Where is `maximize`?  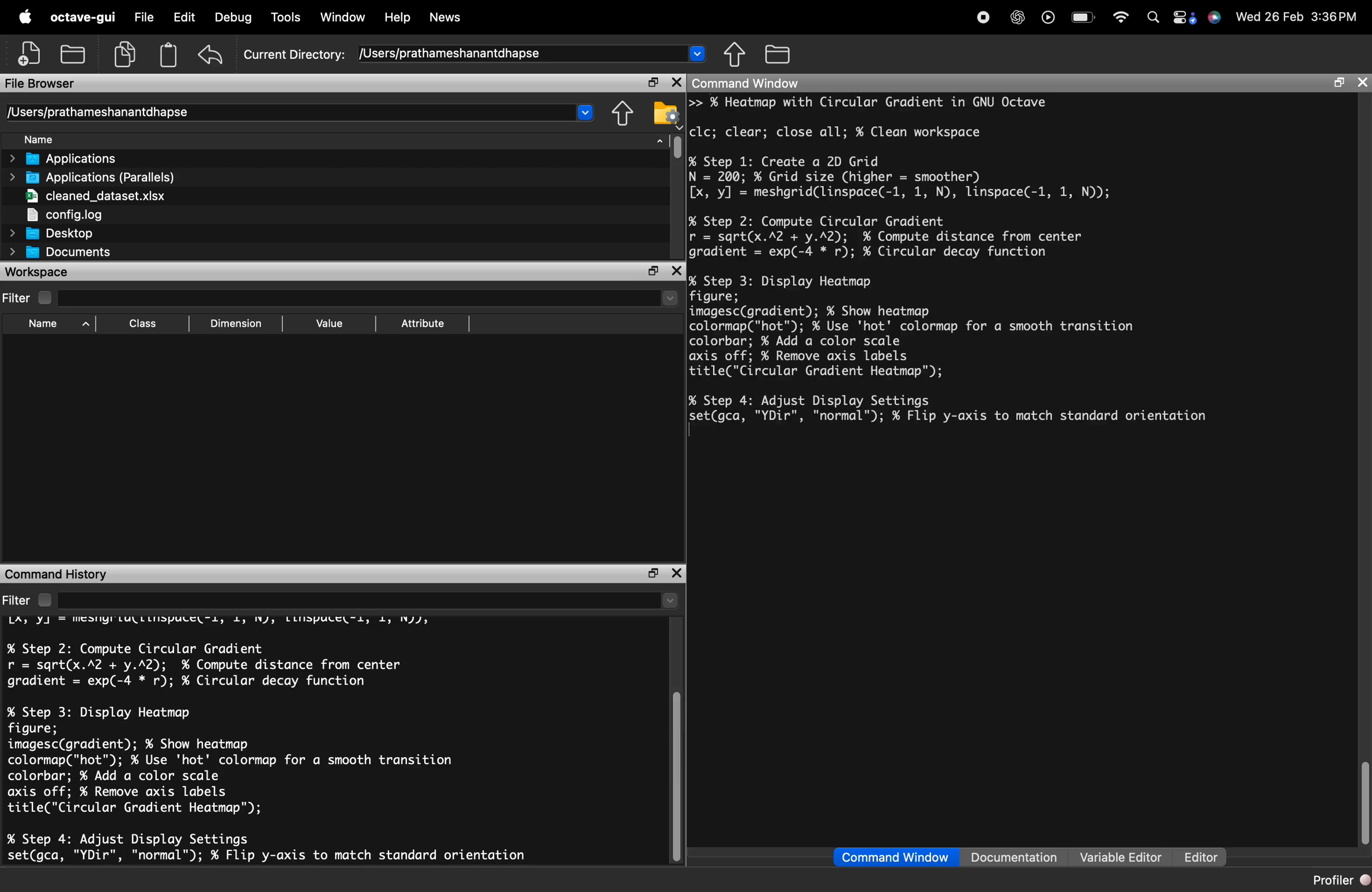 maximize is located at coordinates (653, 83).